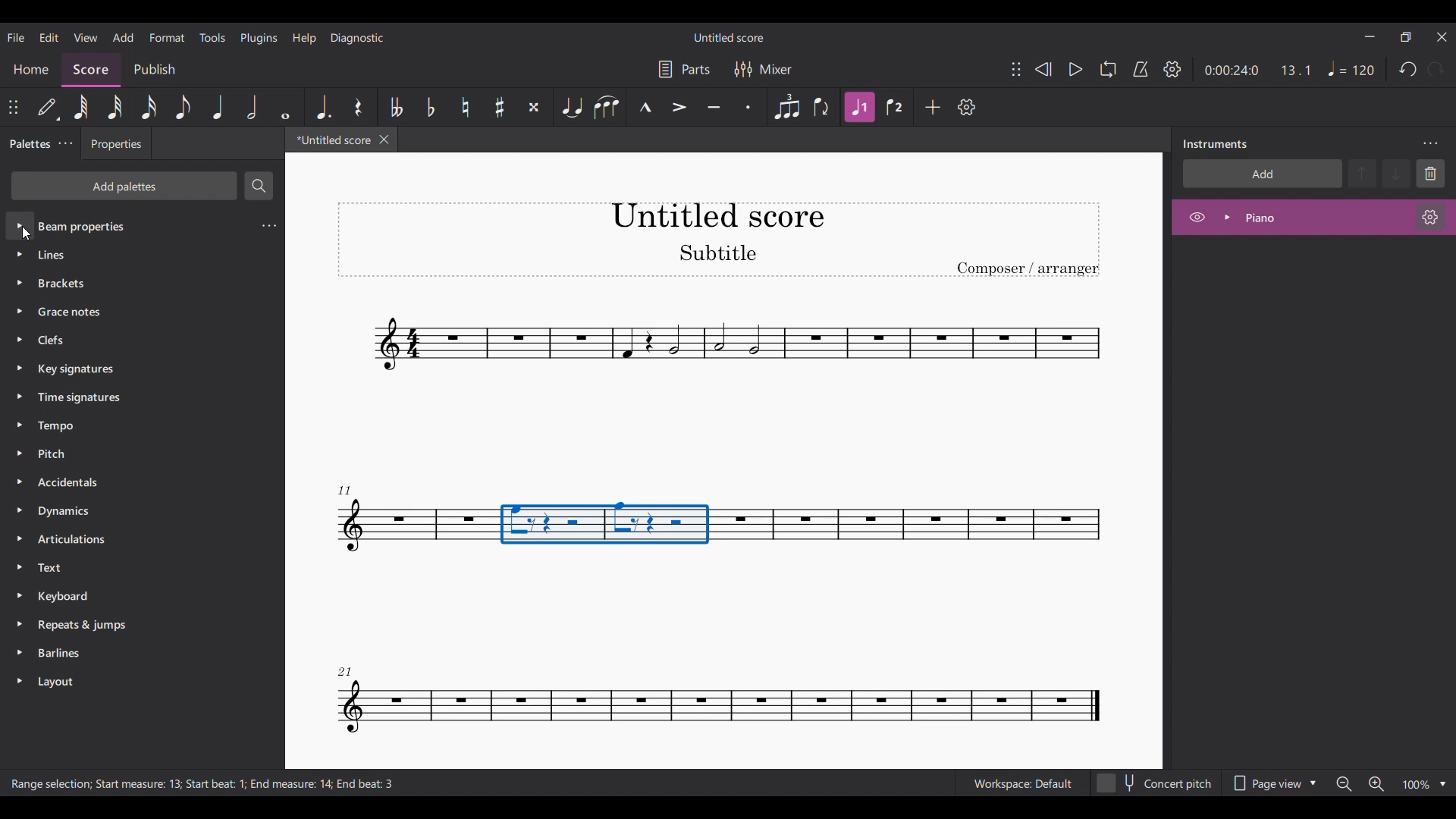 The height and width of the screenshot is (819, 1456). I want to click on Text, so click(129, 567).